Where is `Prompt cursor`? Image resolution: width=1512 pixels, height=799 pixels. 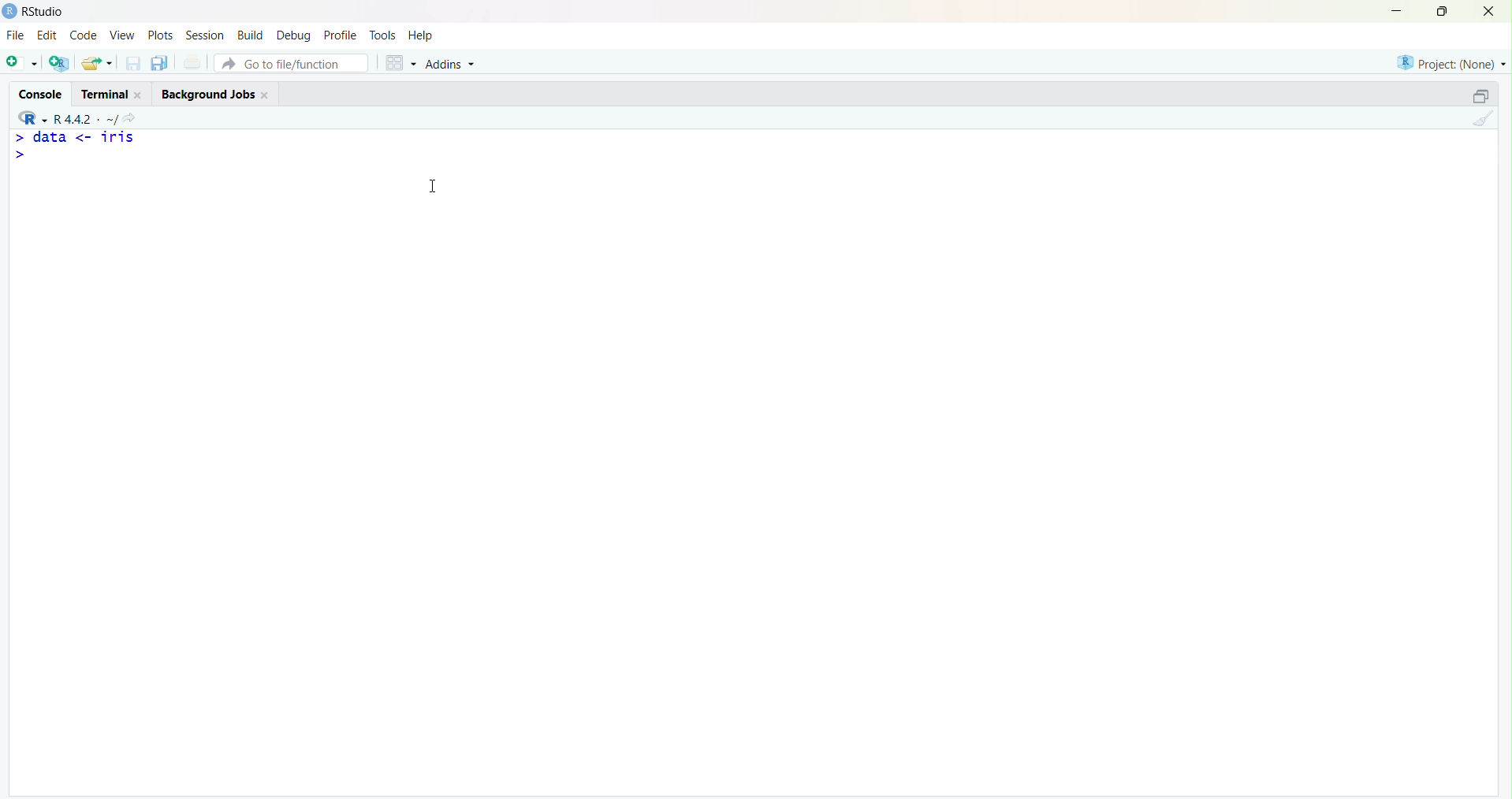 Prompt cursor is located at coordinates (18, 156).